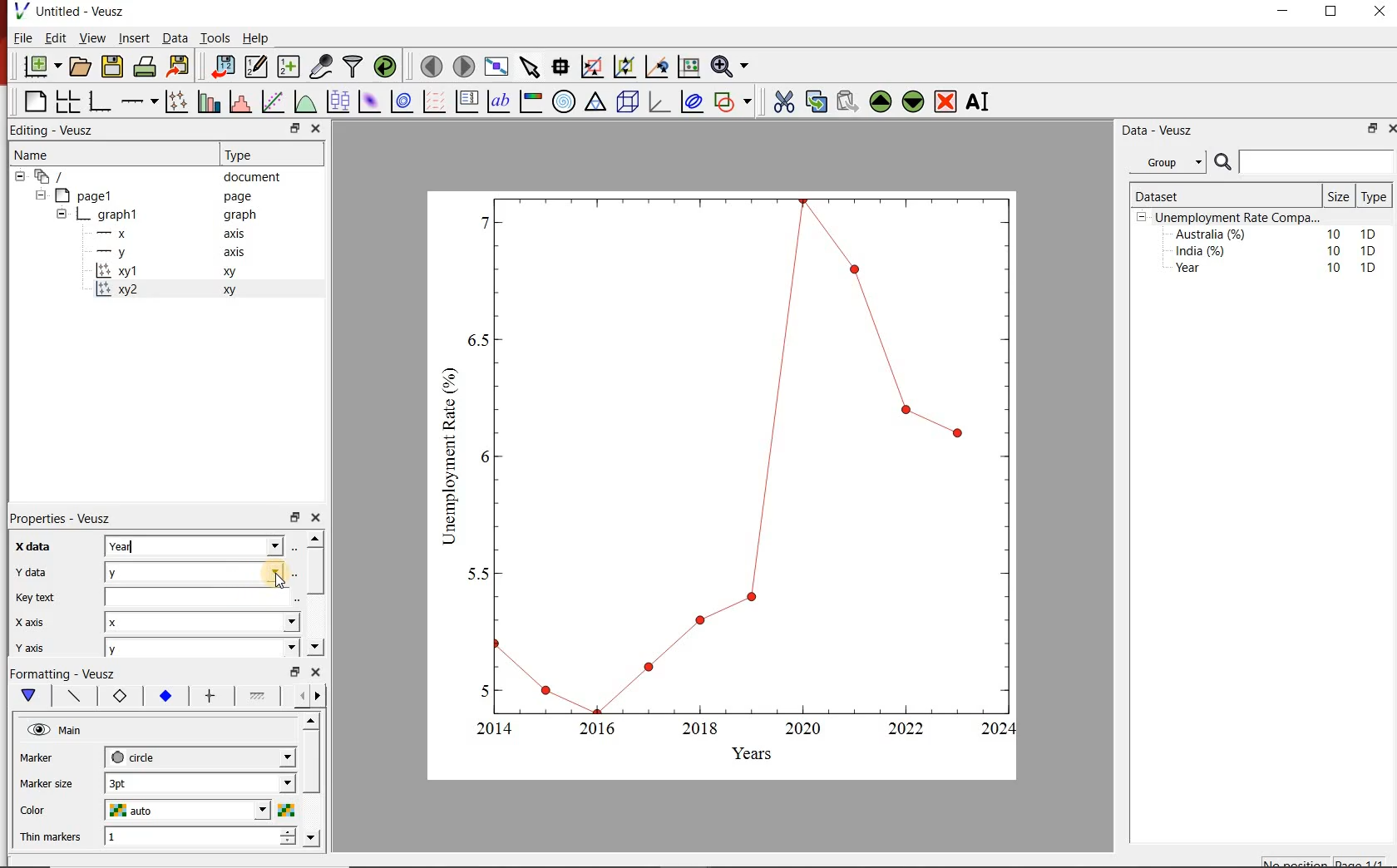 The height and width of the screenshot is (868, 1397). I want to click on Unemployment Rate Compa..., so click(1239, 218).